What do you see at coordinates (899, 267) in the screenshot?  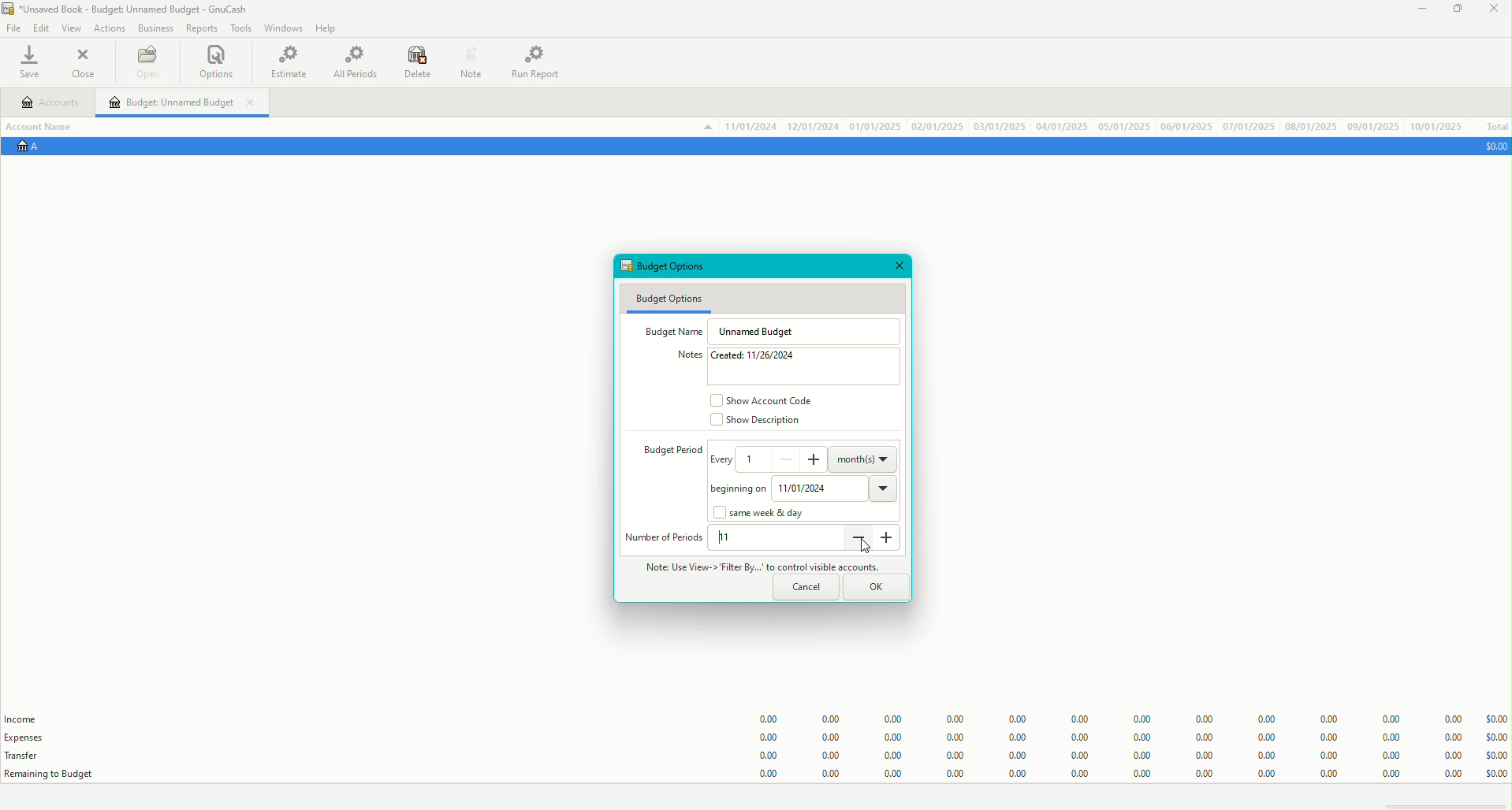 I see `Close` at bounding box center [899, 267].